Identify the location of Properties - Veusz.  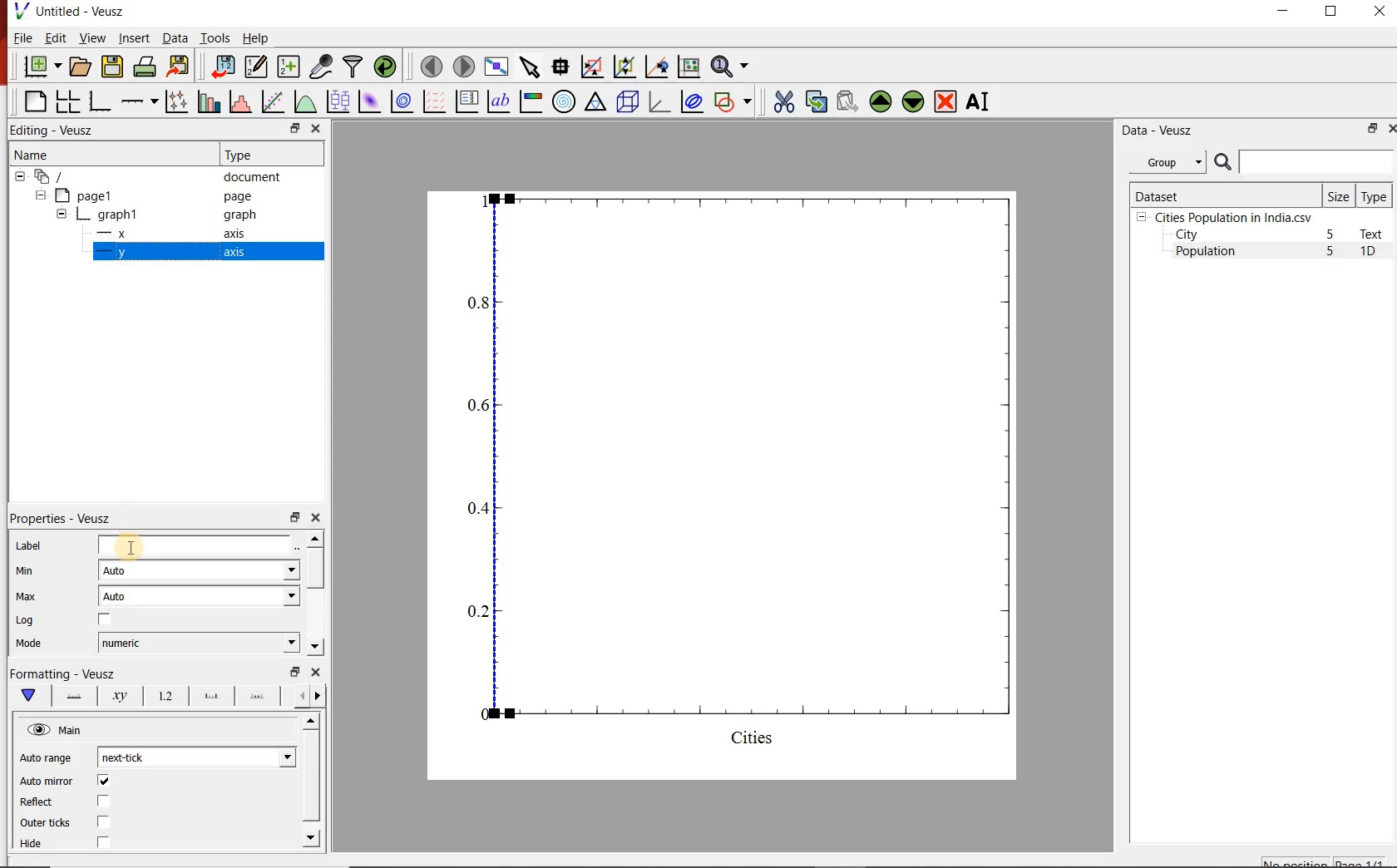
(60, 519).